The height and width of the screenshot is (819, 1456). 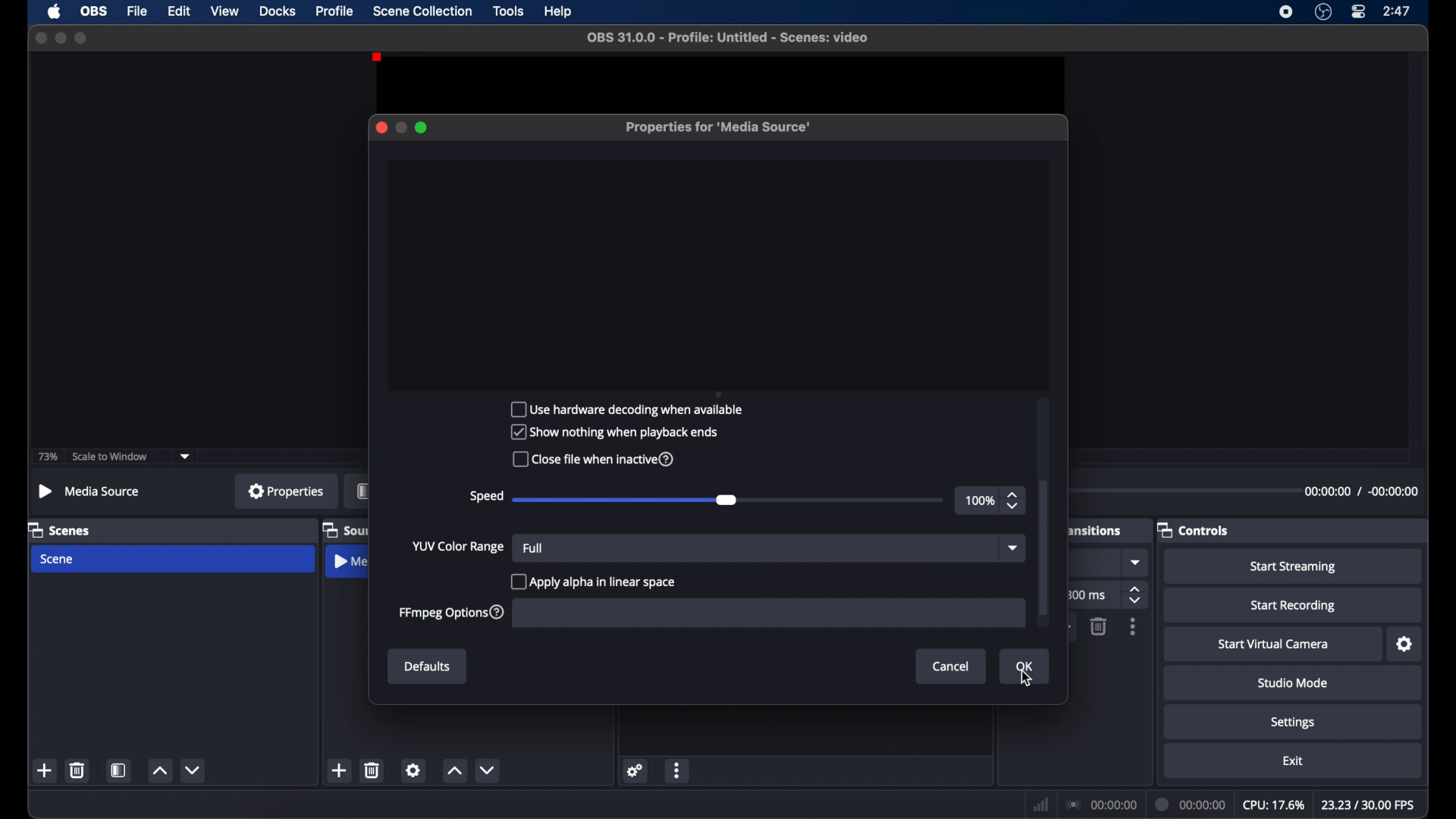 What do you see at coordinates (1293, 606) in the screenshot?
I see `start recording` at bounding box center [1293, 606].